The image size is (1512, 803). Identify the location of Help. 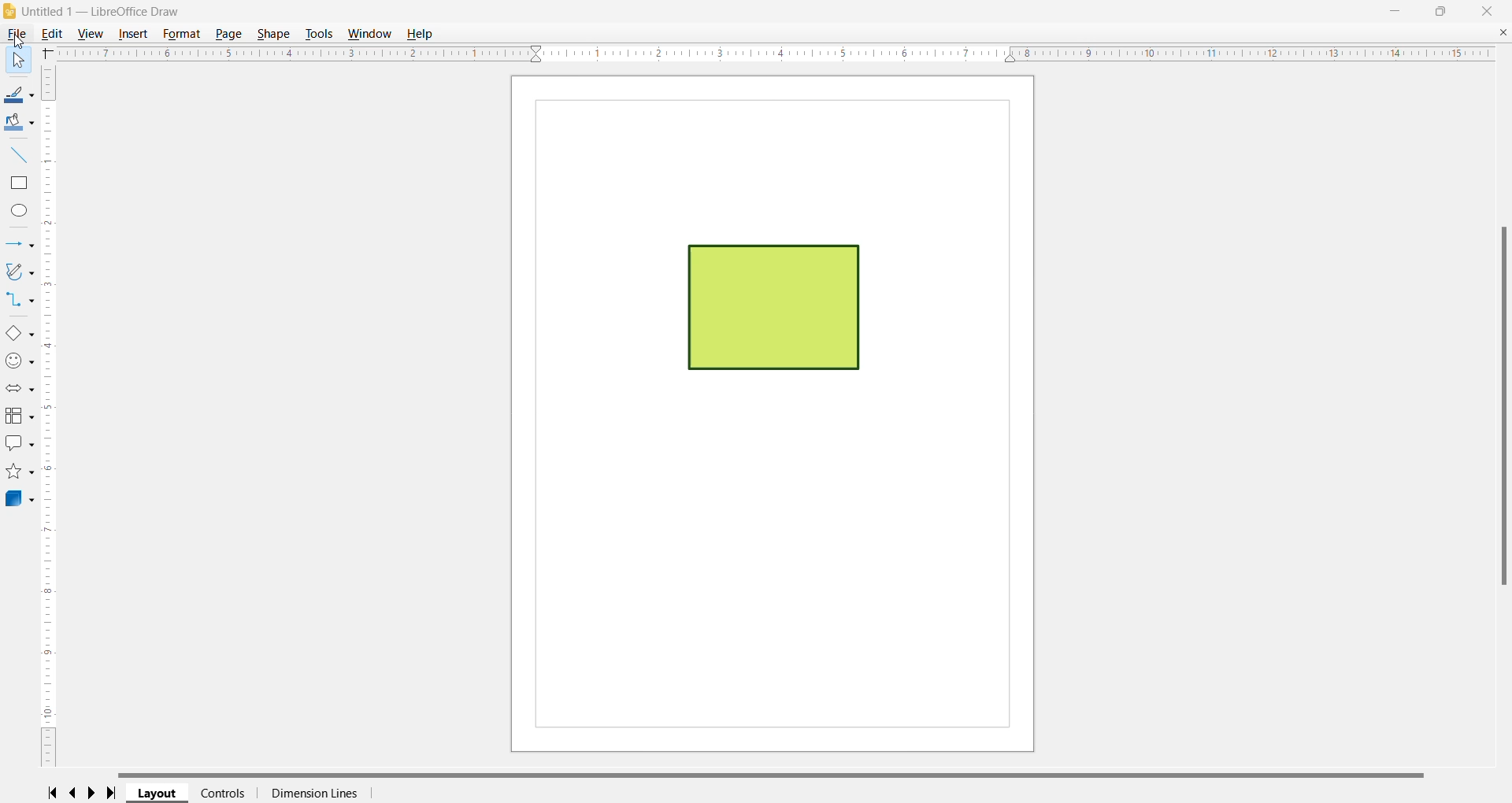
(423, 34).